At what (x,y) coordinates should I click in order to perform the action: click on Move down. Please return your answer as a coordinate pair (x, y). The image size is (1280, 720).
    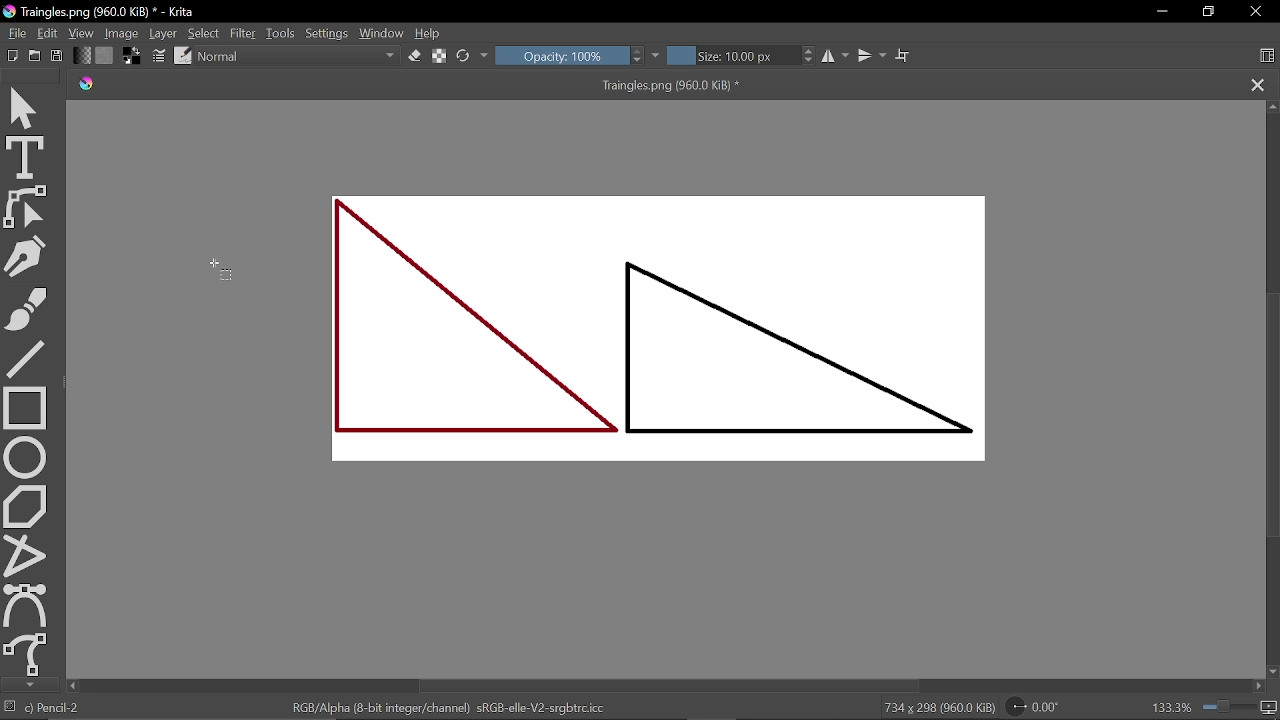
    Looking at the image, I should click on (28, 685).